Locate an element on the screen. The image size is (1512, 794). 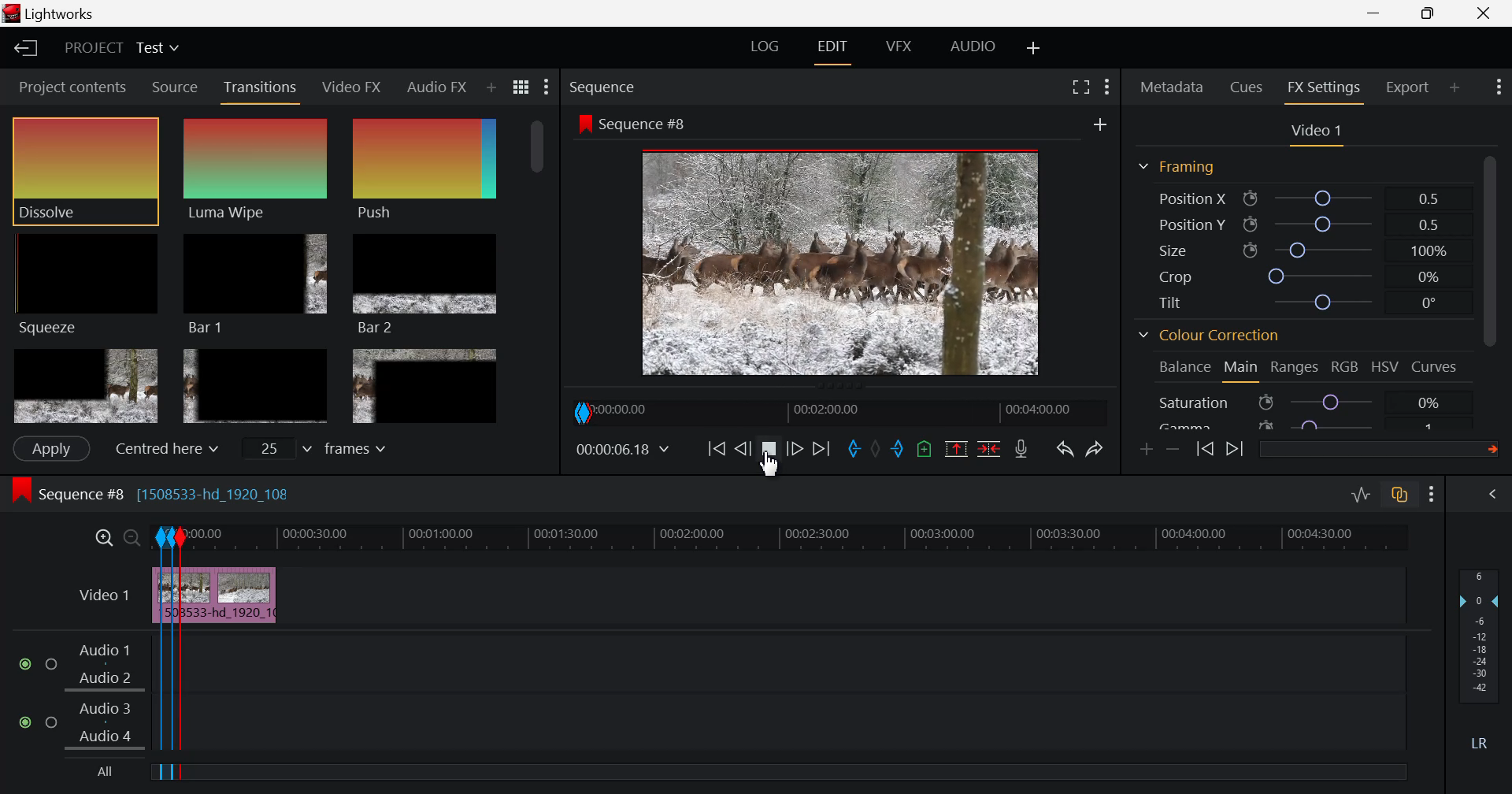
Crop is located at coordinates (1300, 276).